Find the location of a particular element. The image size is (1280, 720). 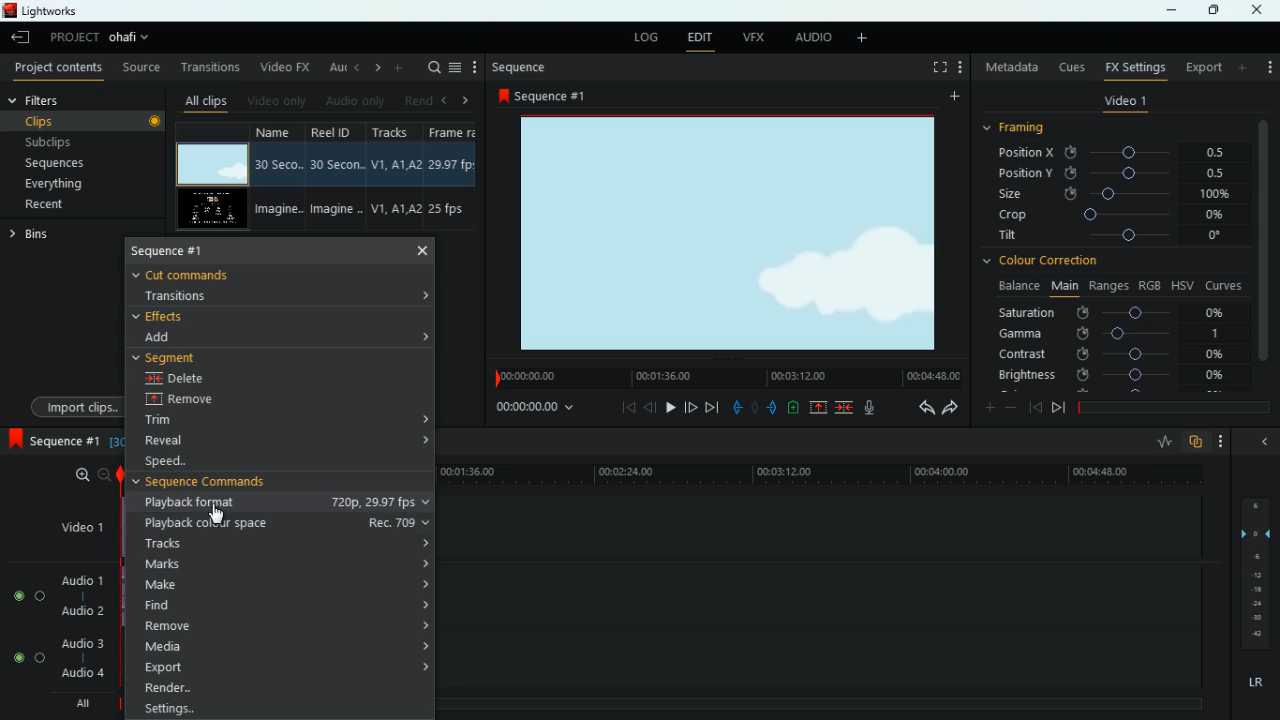

left is located at coordinates (358, 68).